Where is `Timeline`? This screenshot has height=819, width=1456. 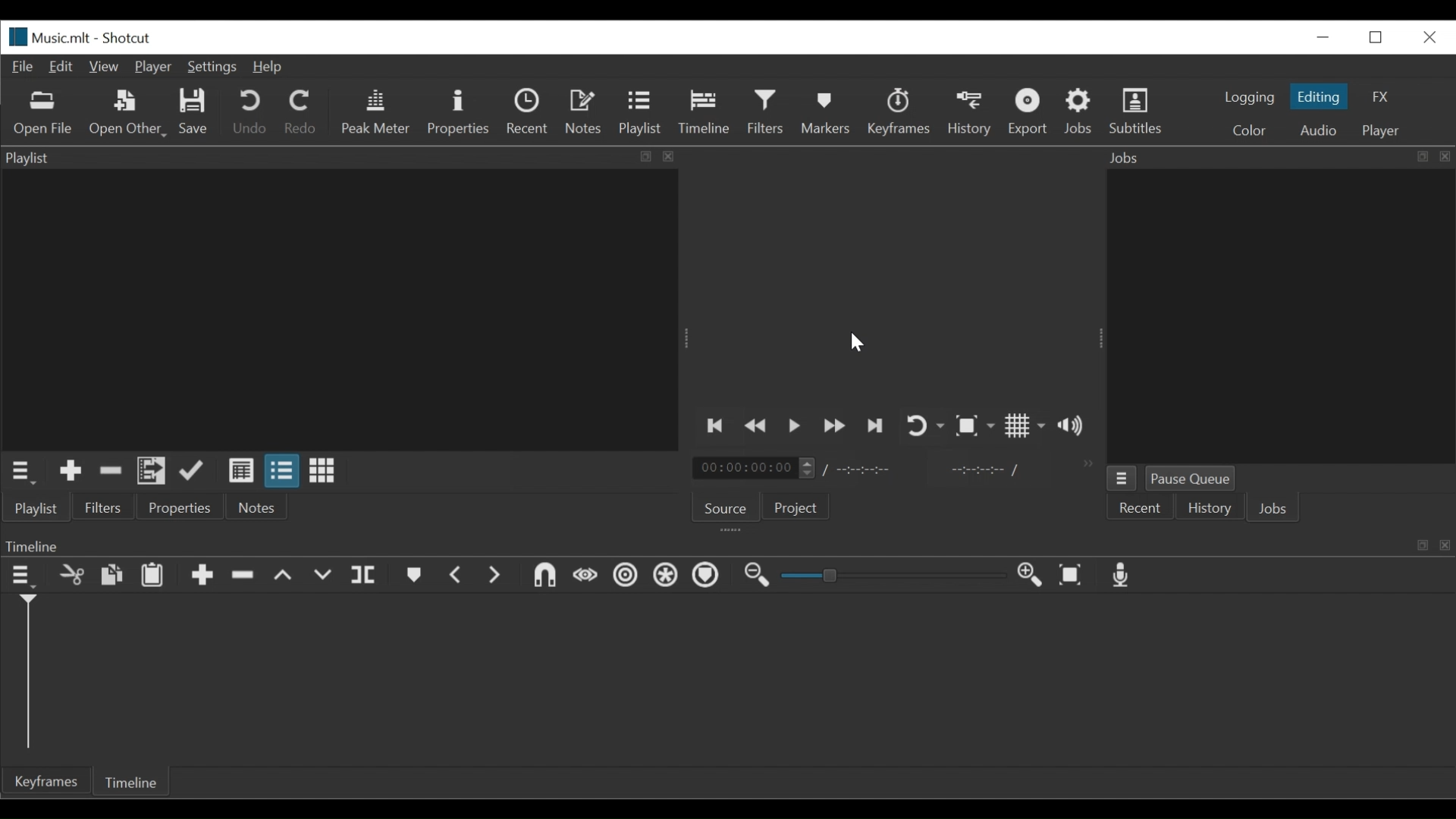 Timeline is located at coordinates (704, 114).